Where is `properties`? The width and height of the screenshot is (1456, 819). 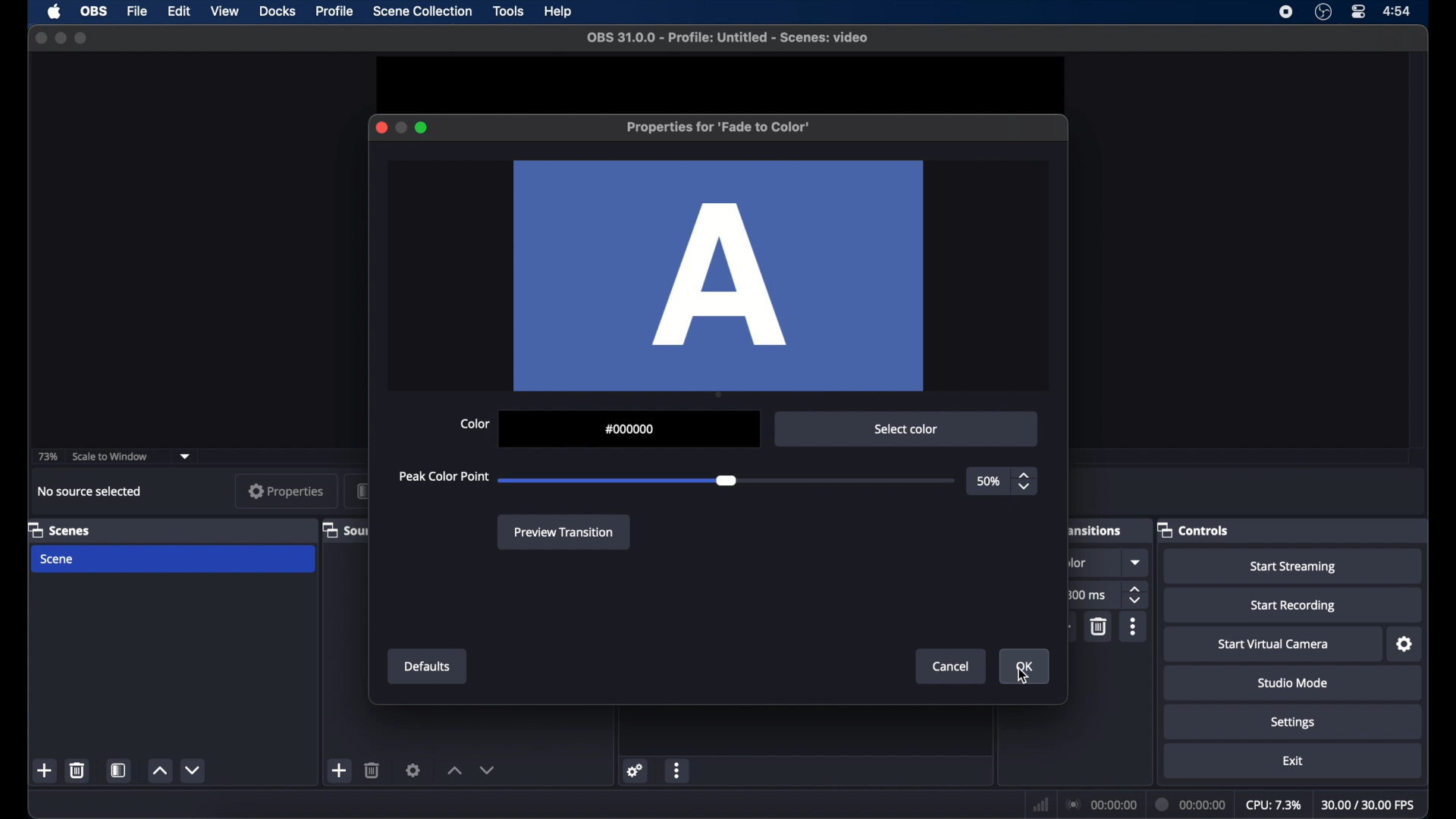
properties is located at coordinates (286, 491).